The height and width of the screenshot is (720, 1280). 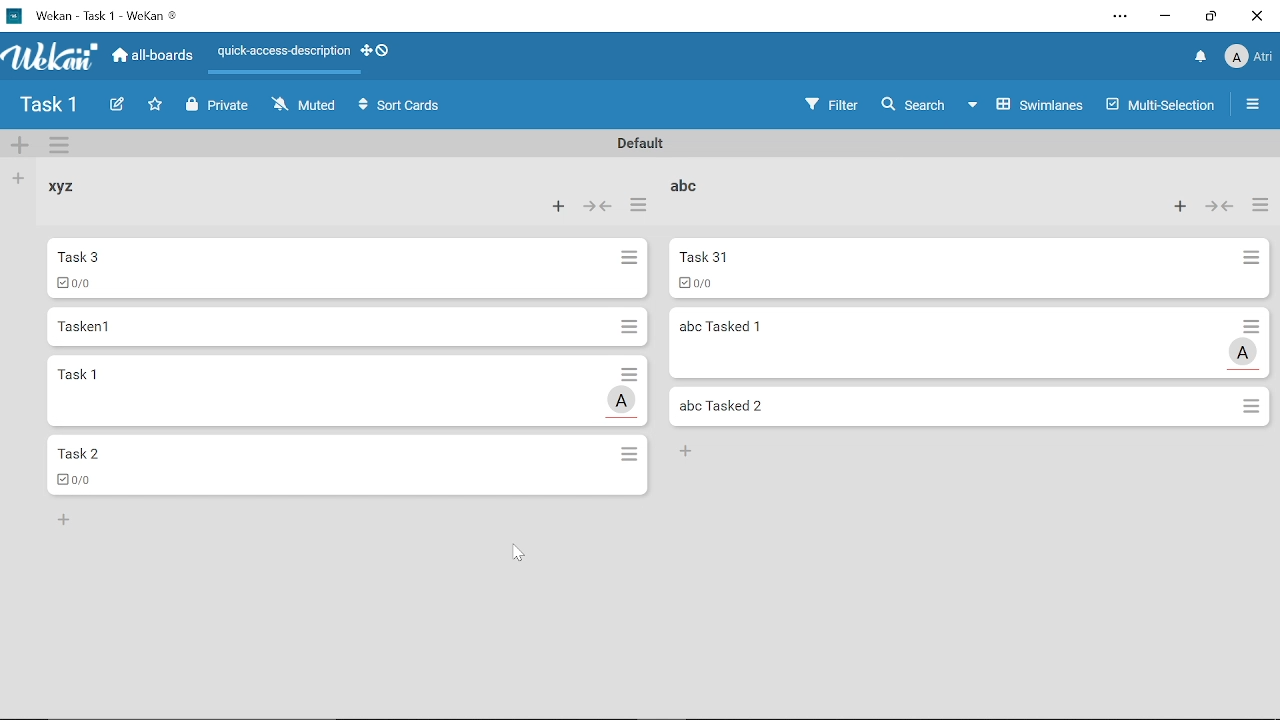 What do you see at coordinates (154, 55) in the screenshot?
I see `All boards` at bounding box center [154, 55].